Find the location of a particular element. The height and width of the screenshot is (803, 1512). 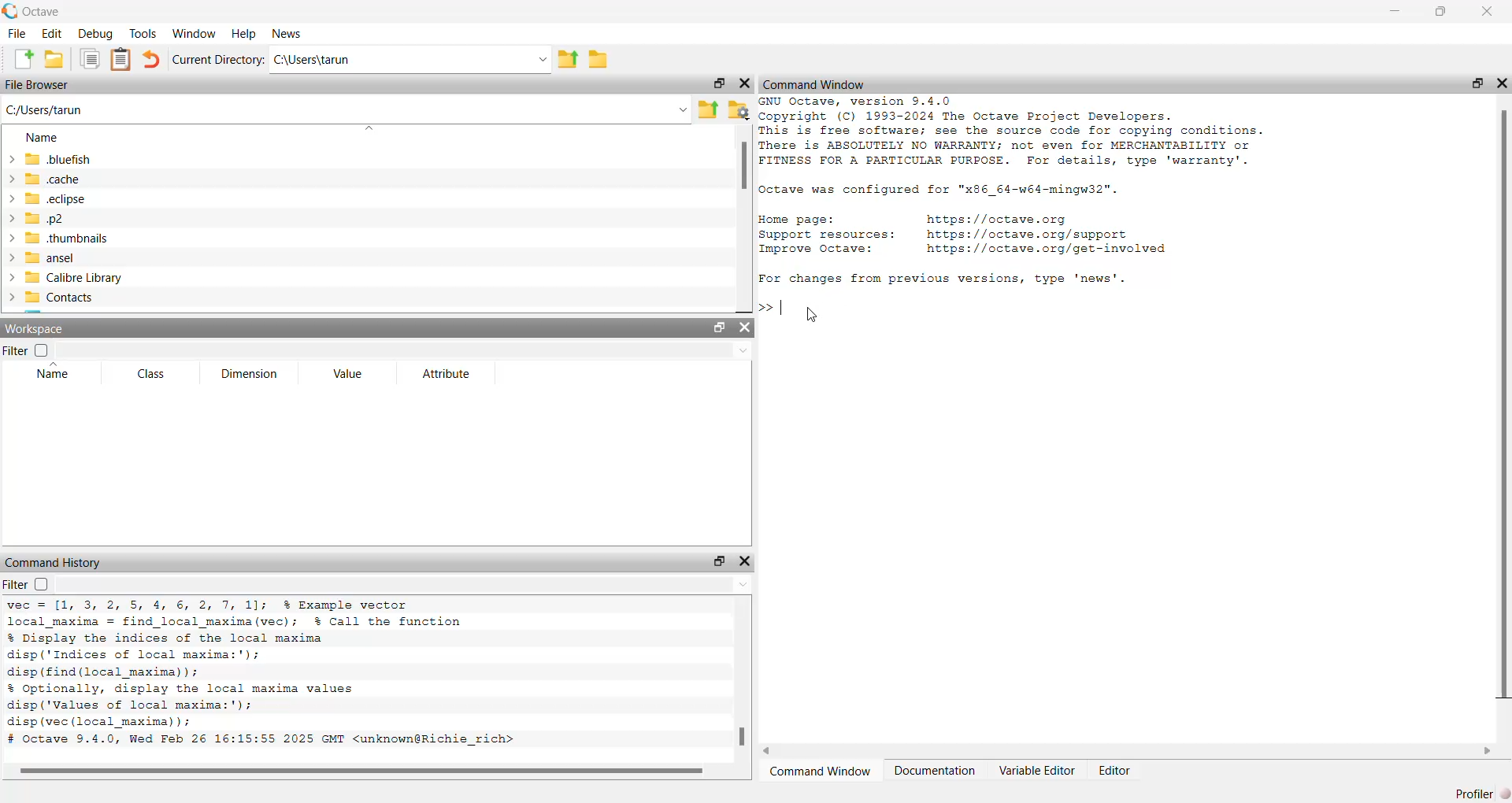

Editor is located at coordinates (1114, 769).